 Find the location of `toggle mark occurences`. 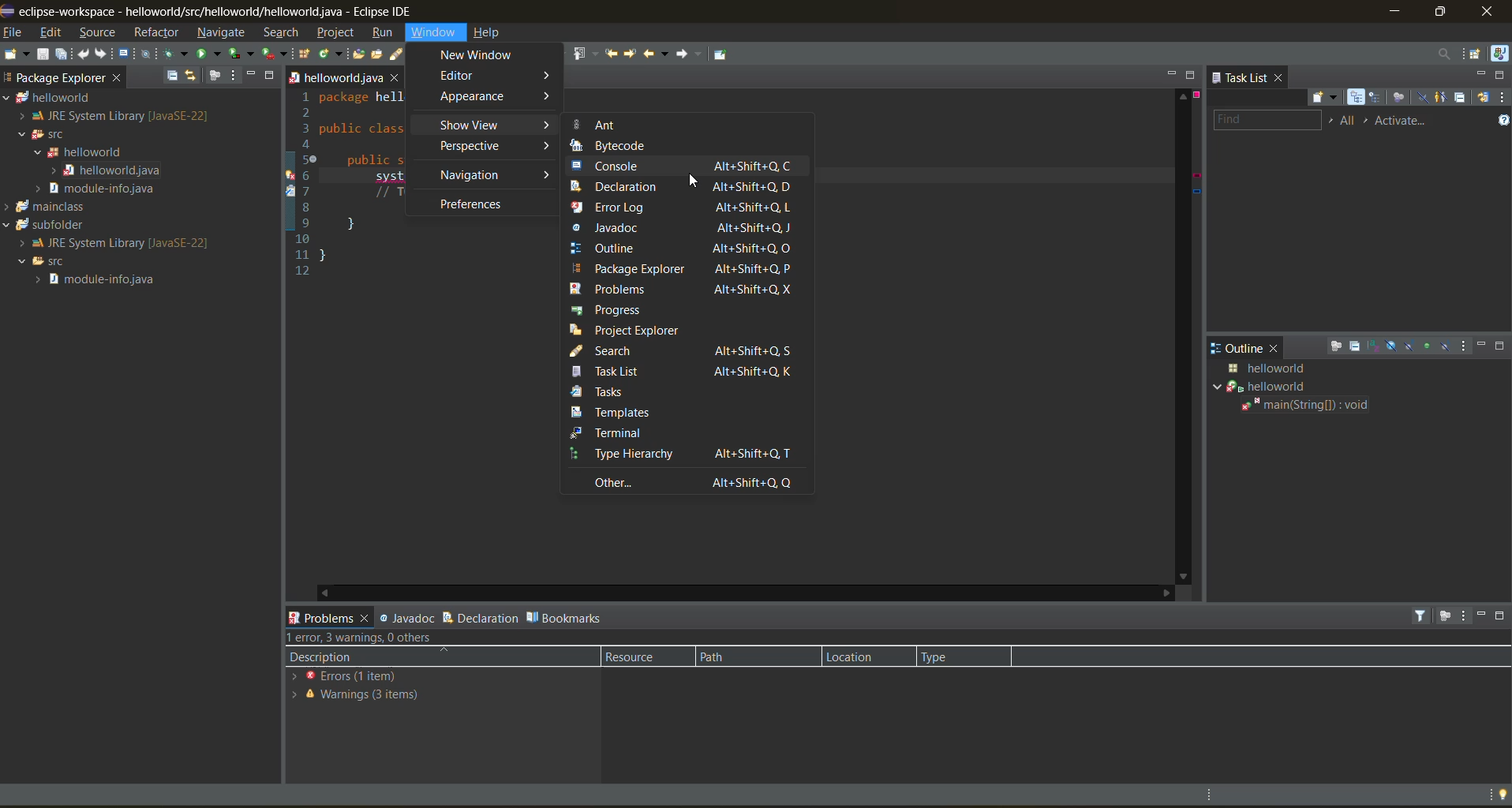

toggle mark occurences is located at coordinates (453, 56).